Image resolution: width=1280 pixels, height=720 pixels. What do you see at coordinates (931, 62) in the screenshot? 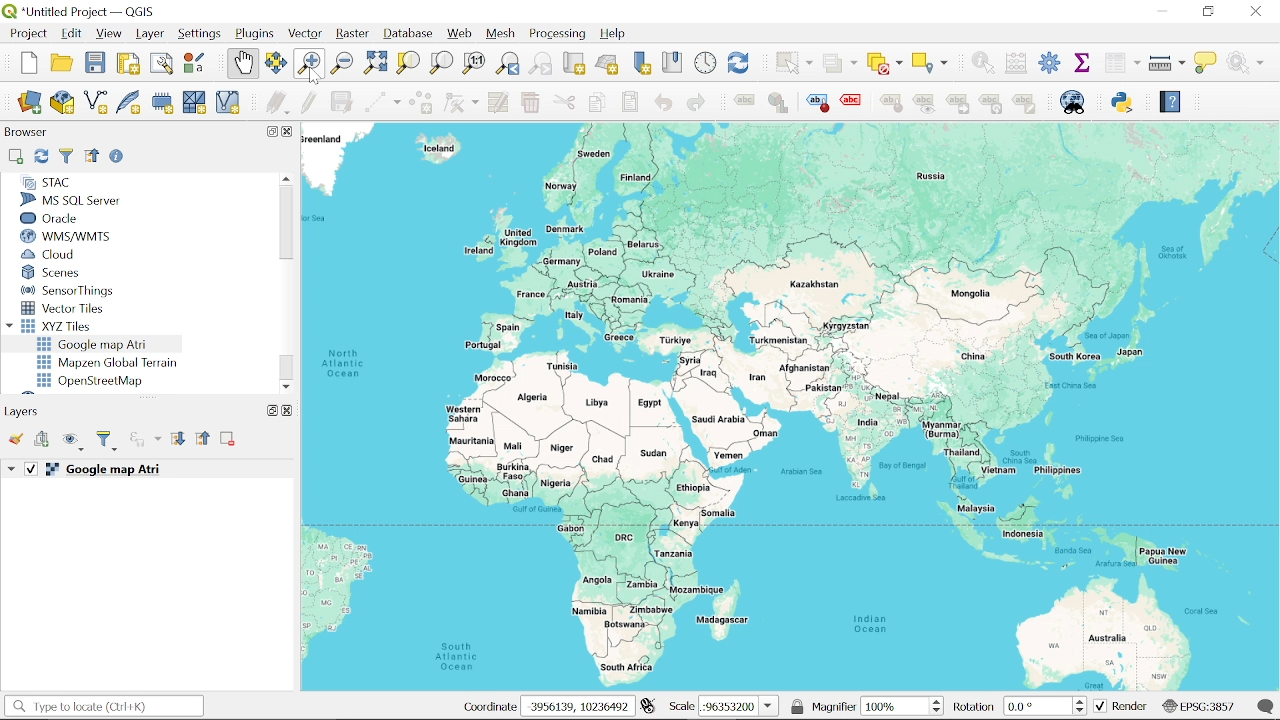
I see `Select layers by location` at bounding box center [931, 62].